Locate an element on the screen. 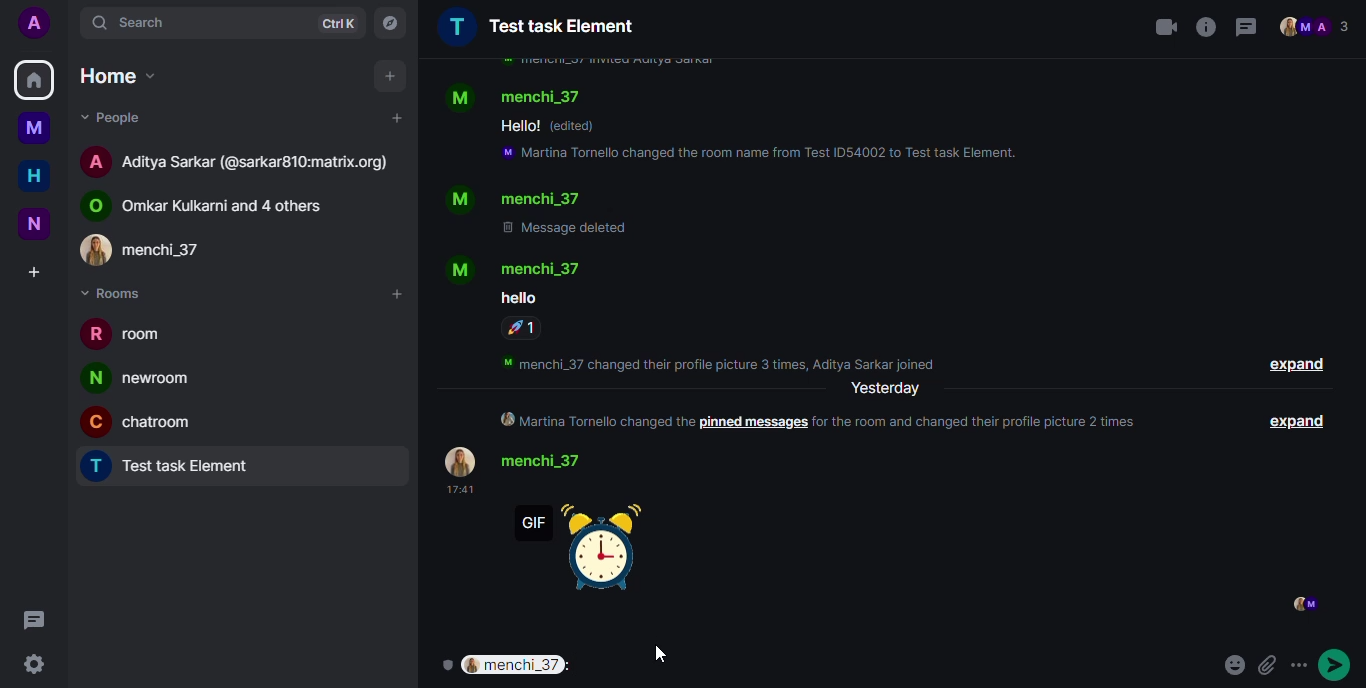 This screenshot has width=1366, height=688. info is located at coordinates (1206, 26).